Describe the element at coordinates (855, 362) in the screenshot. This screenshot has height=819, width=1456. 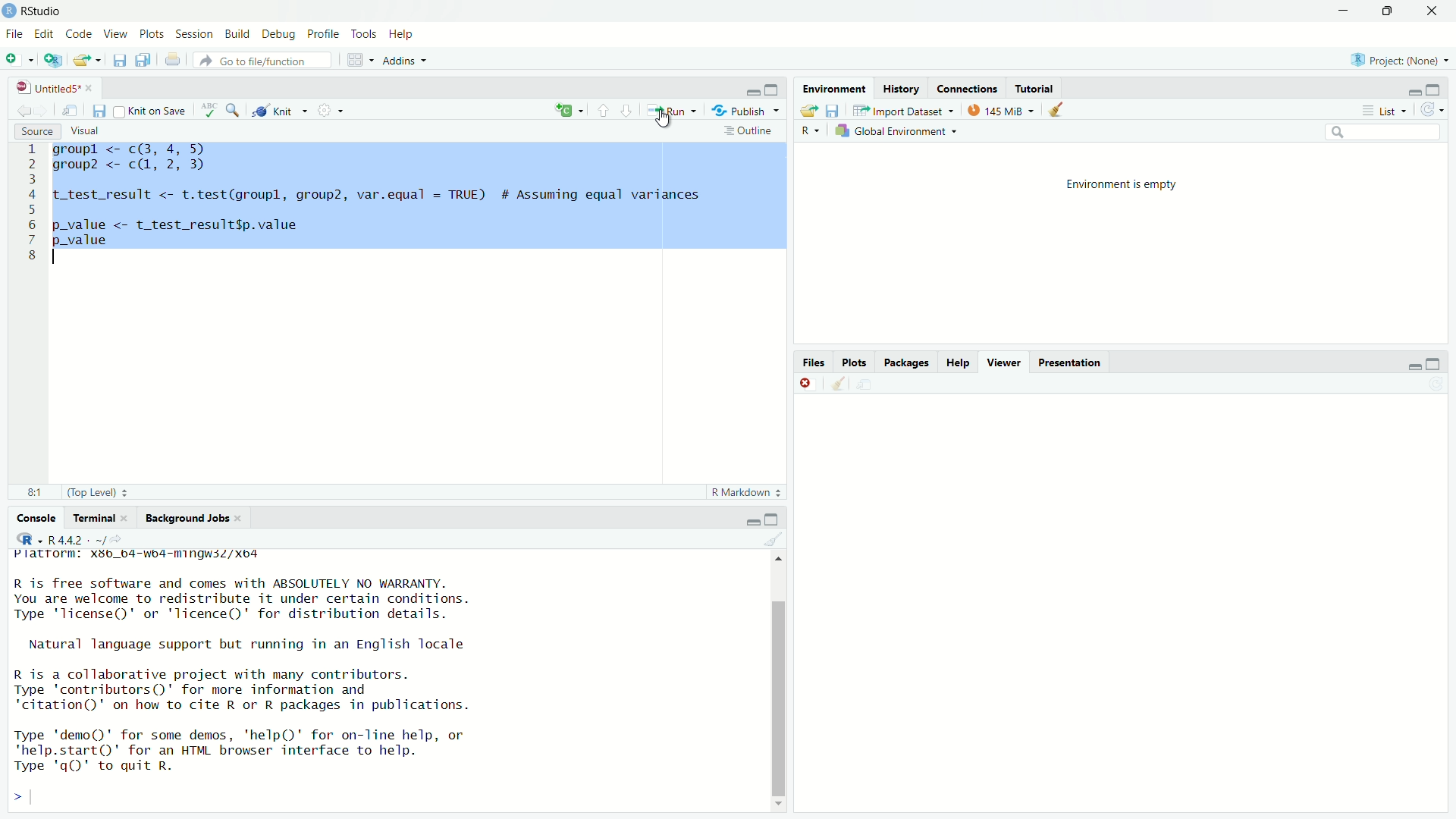
I see `Plots` at that location.